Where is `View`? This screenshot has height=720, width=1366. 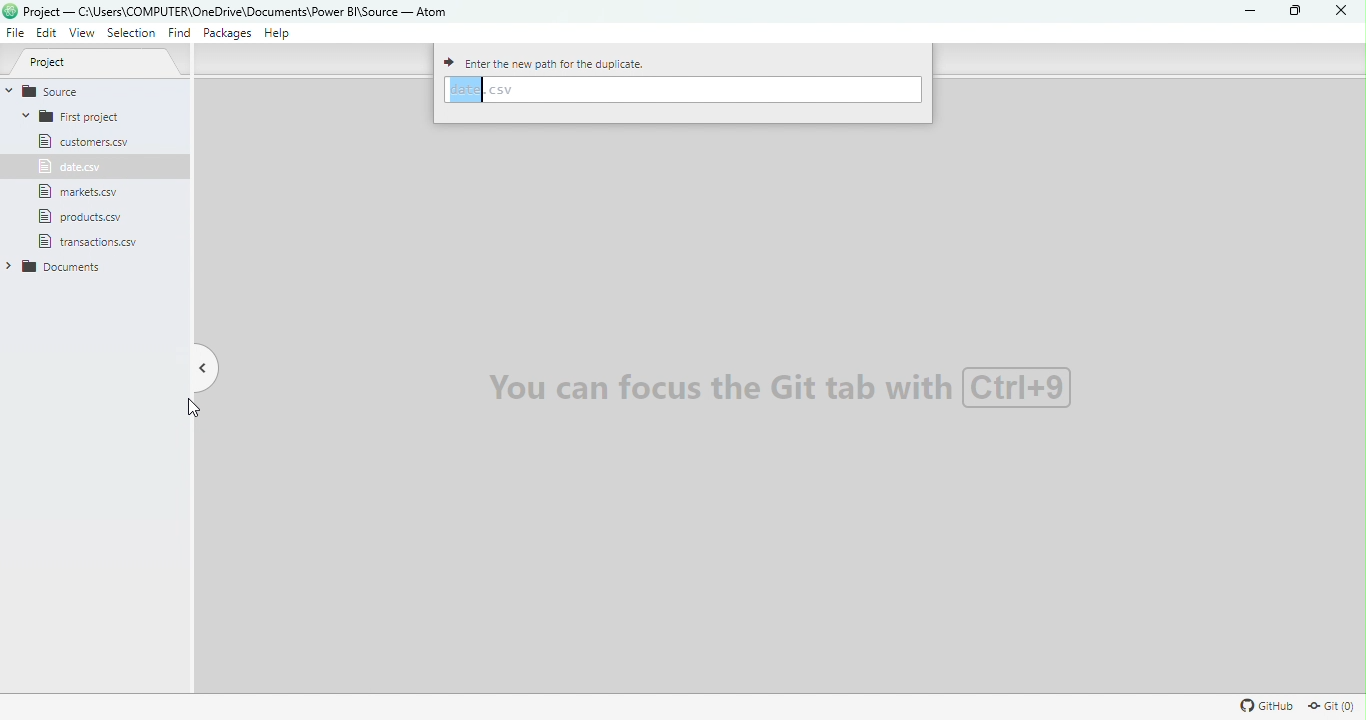 View is located at coordinates (84, 34).